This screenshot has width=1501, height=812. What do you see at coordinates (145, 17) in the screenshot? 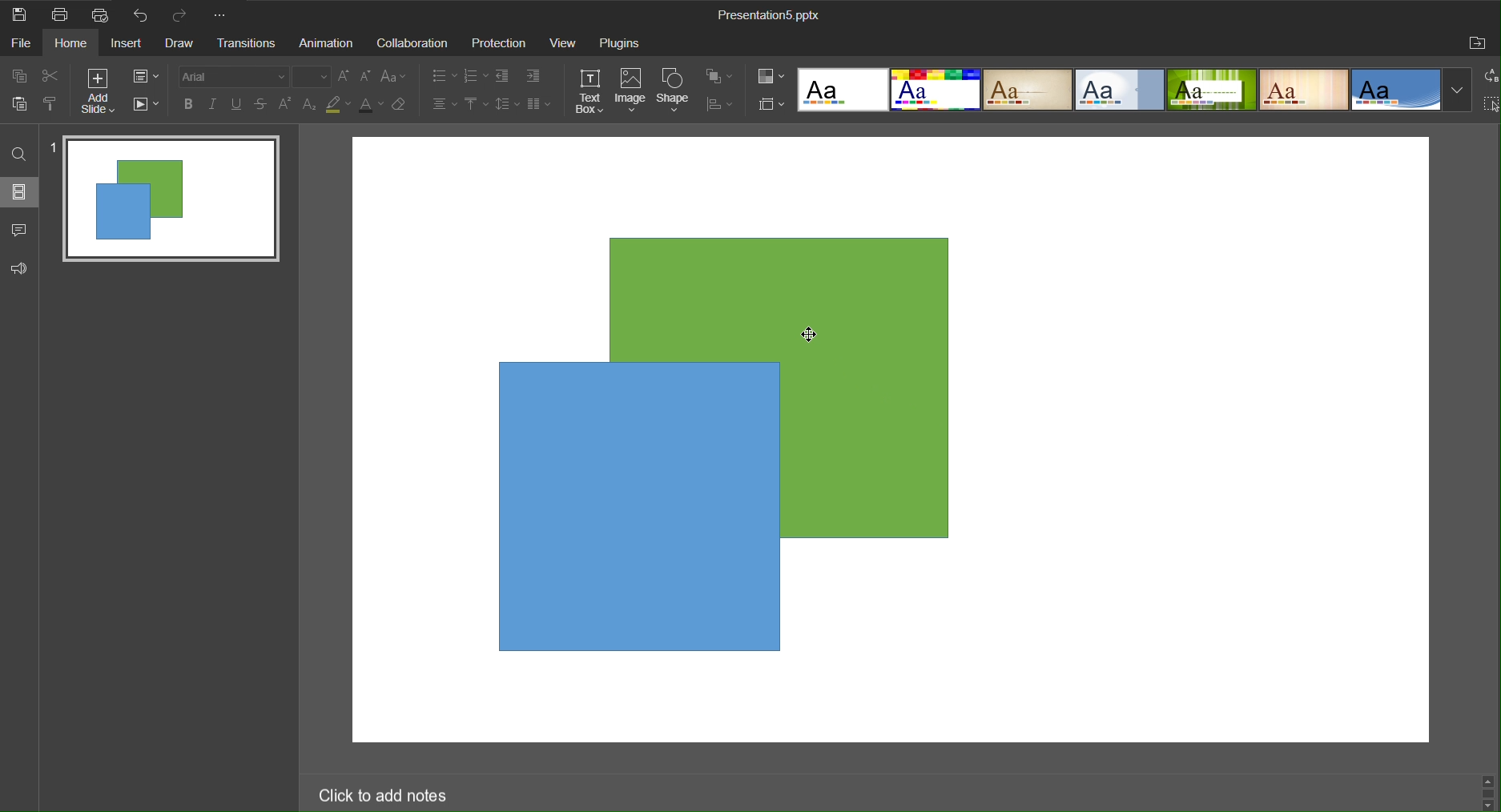
I see `Undo` at bounding box center [145, 17].